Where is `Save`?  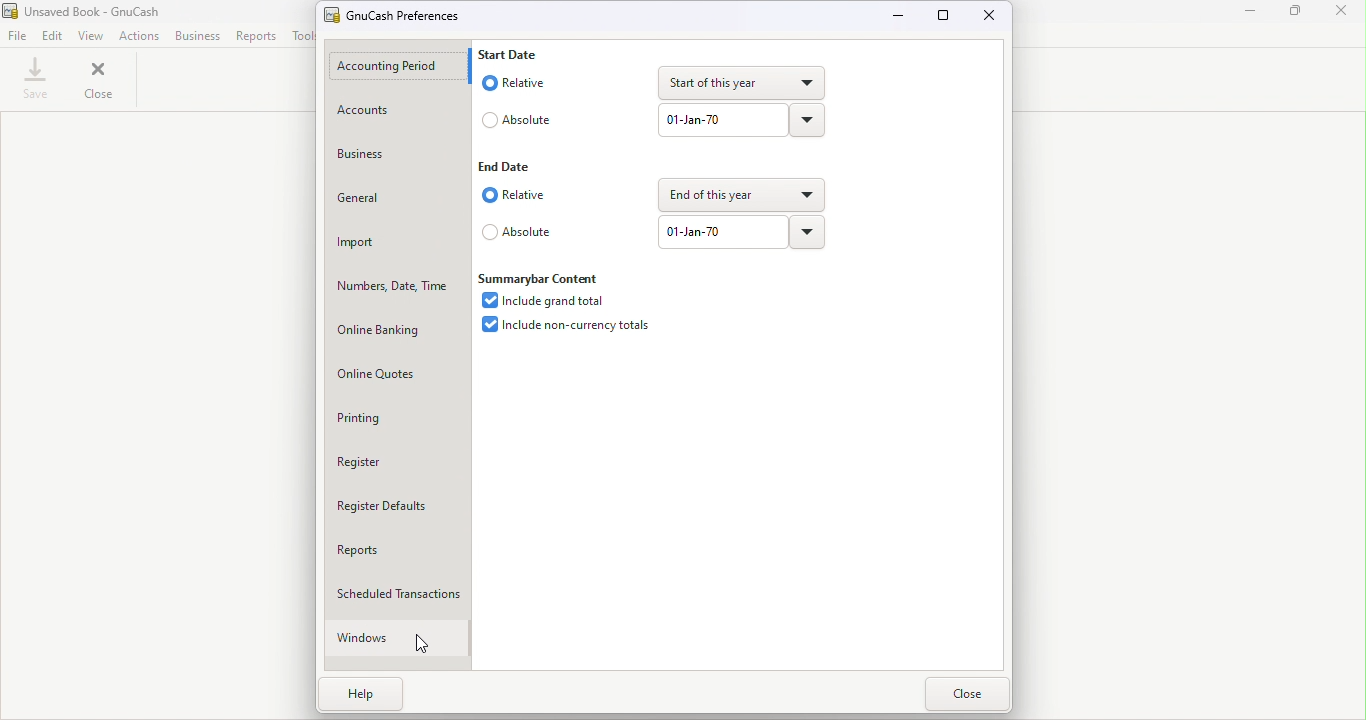
Save is located at coordinates (37, 79).